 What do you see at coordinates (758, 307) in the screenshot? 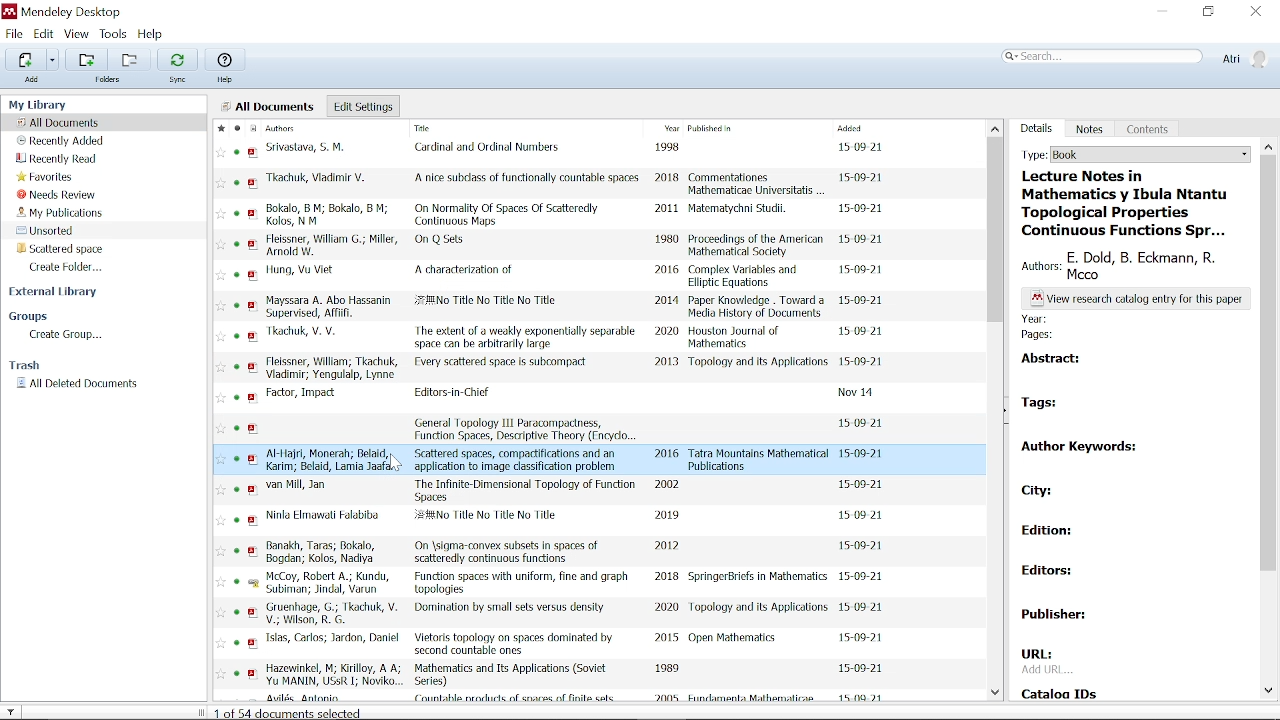
I see `Paper Knowledge . Toward a
Media History of Documents.` at bounding box center [758, 307].